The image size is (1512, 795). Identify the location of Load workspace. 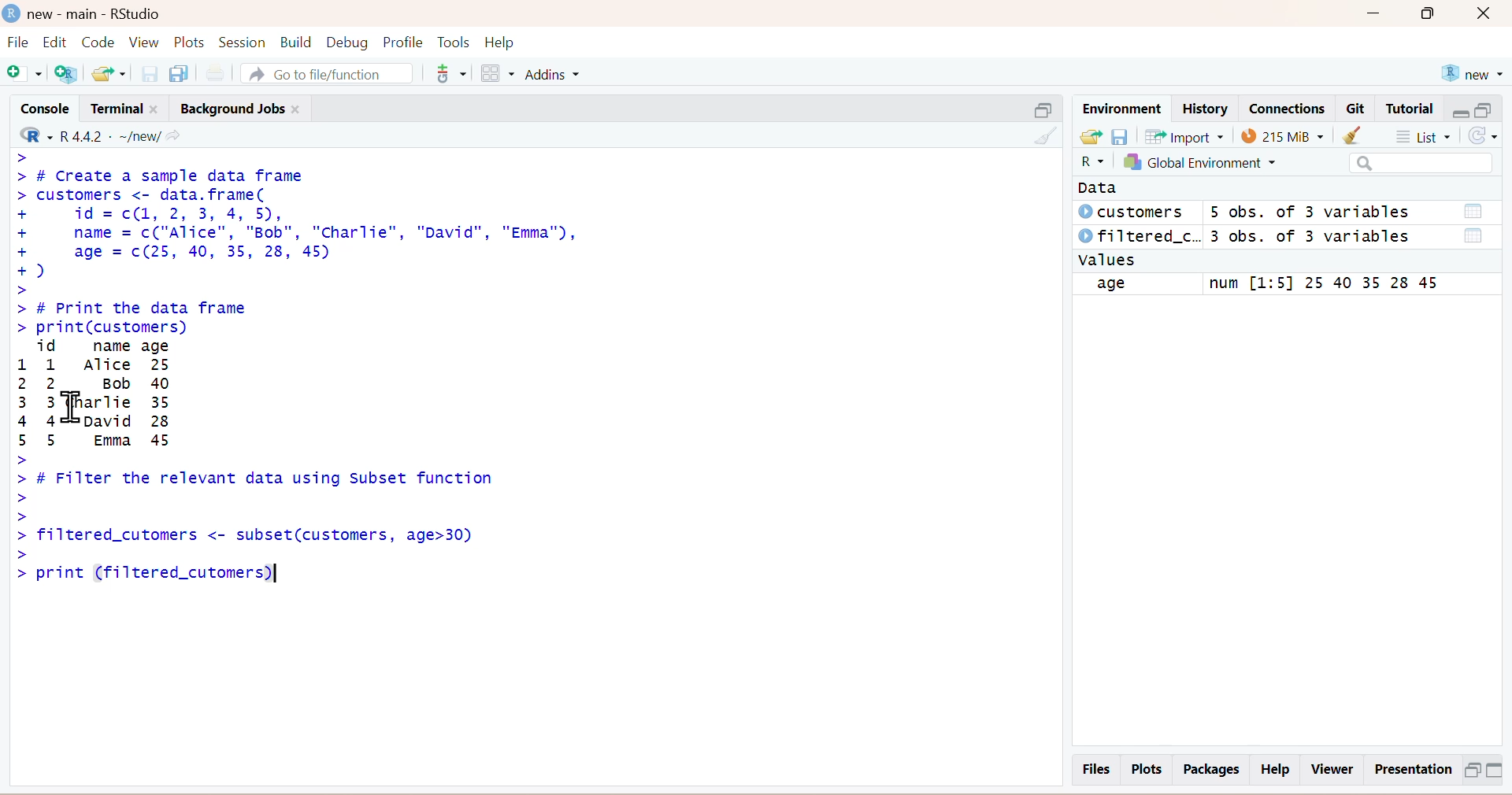
(1090, 137).